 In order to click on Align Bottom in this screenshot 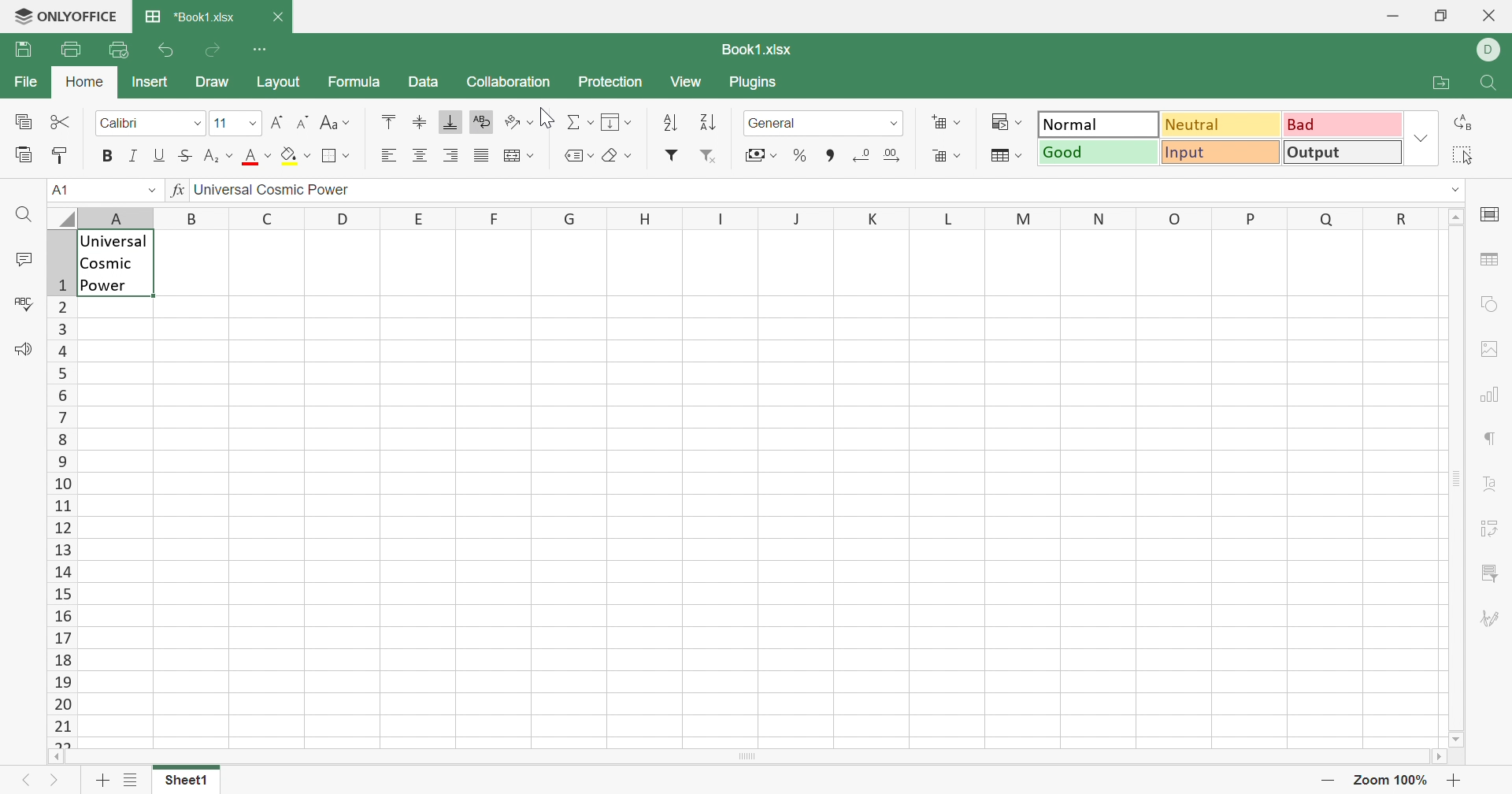, I will do `click(453, 122)`.